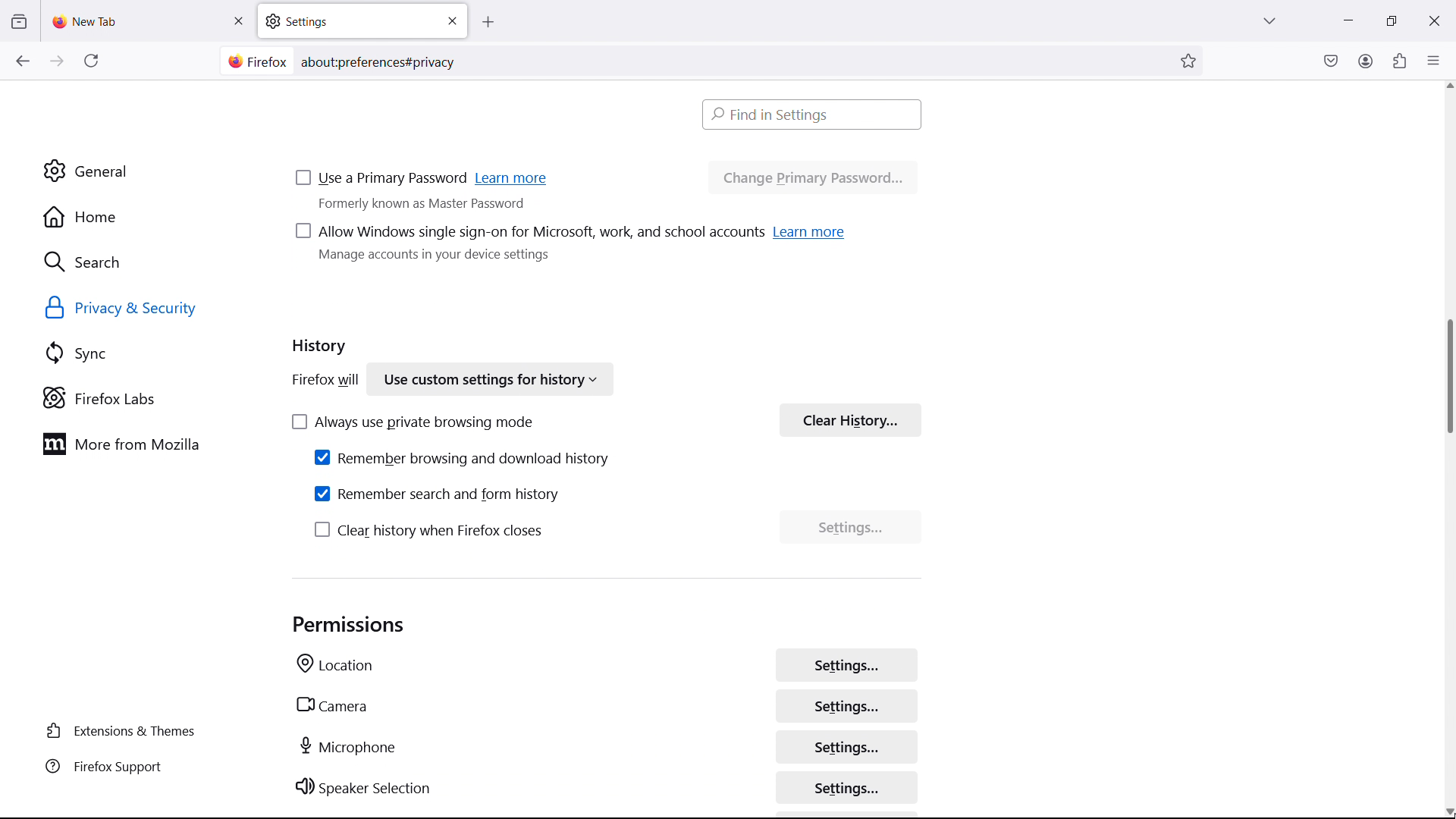 This screenshot has height=819, width=1456. I want to click on speaker selection permission settings, so click(849, 785).